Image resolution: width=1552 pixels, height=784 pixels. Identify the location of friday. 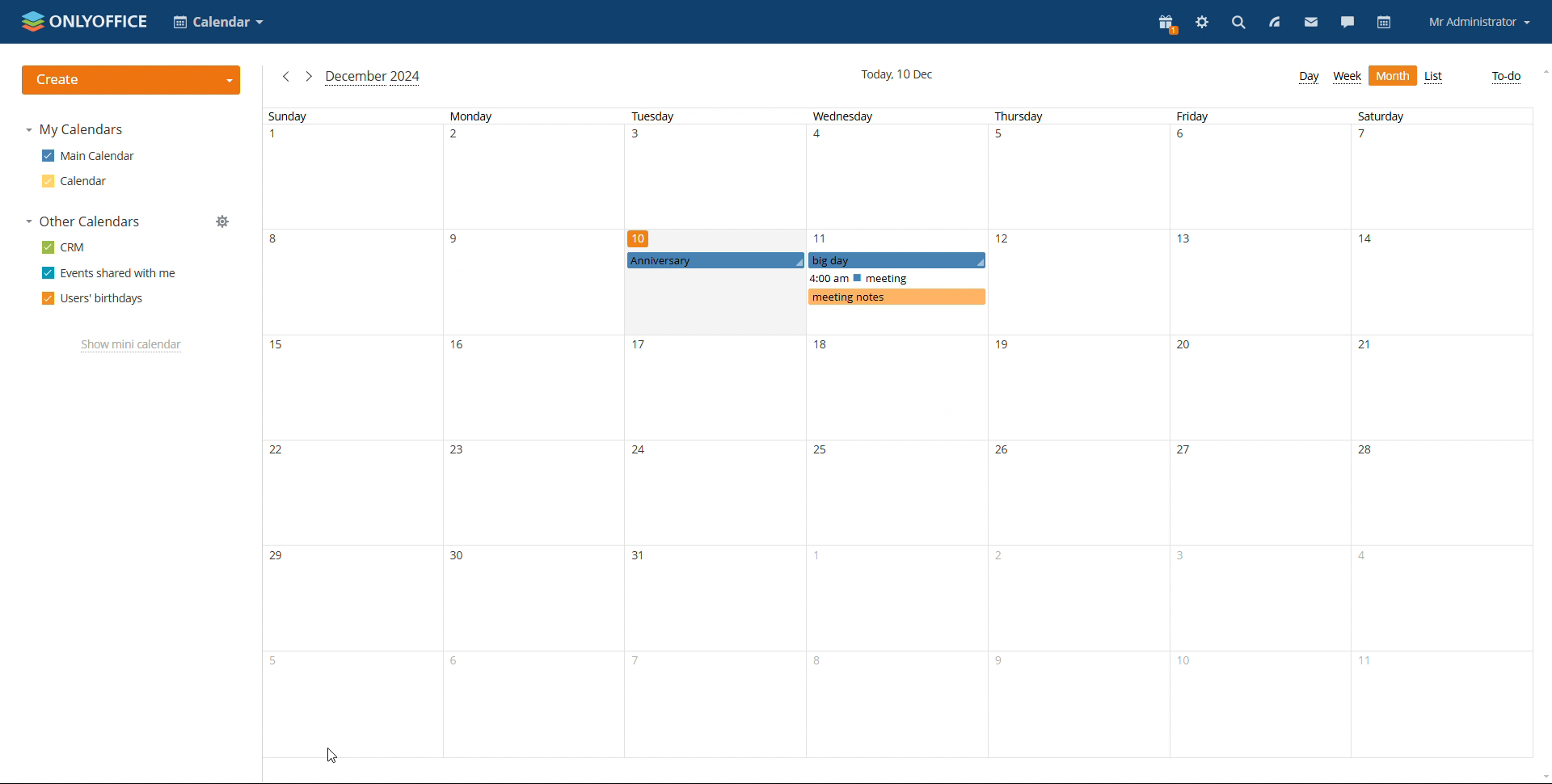
(1261, 433).